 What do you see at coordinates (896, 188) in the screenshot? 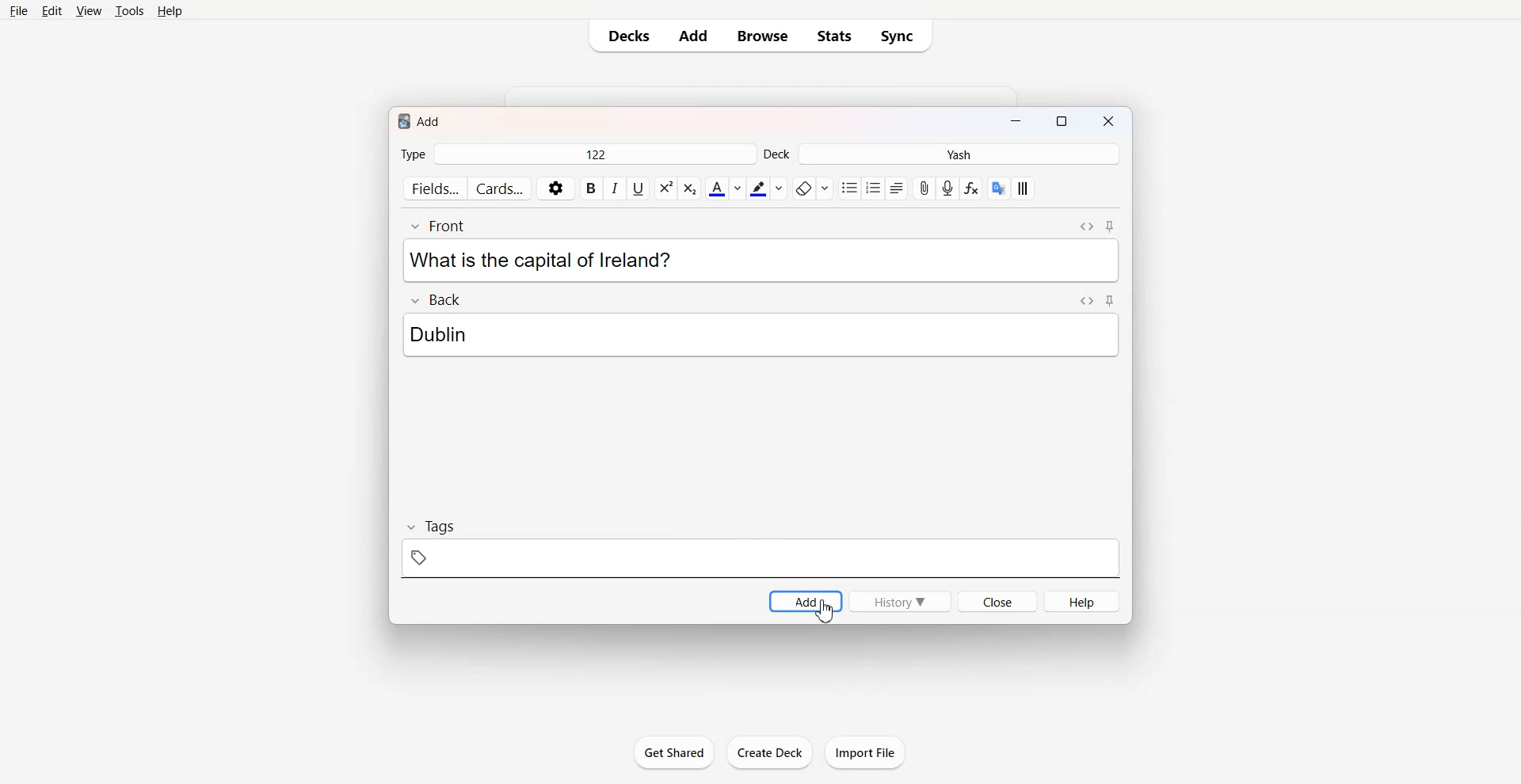
I see `Alignment` at bounding box center [896, 188].